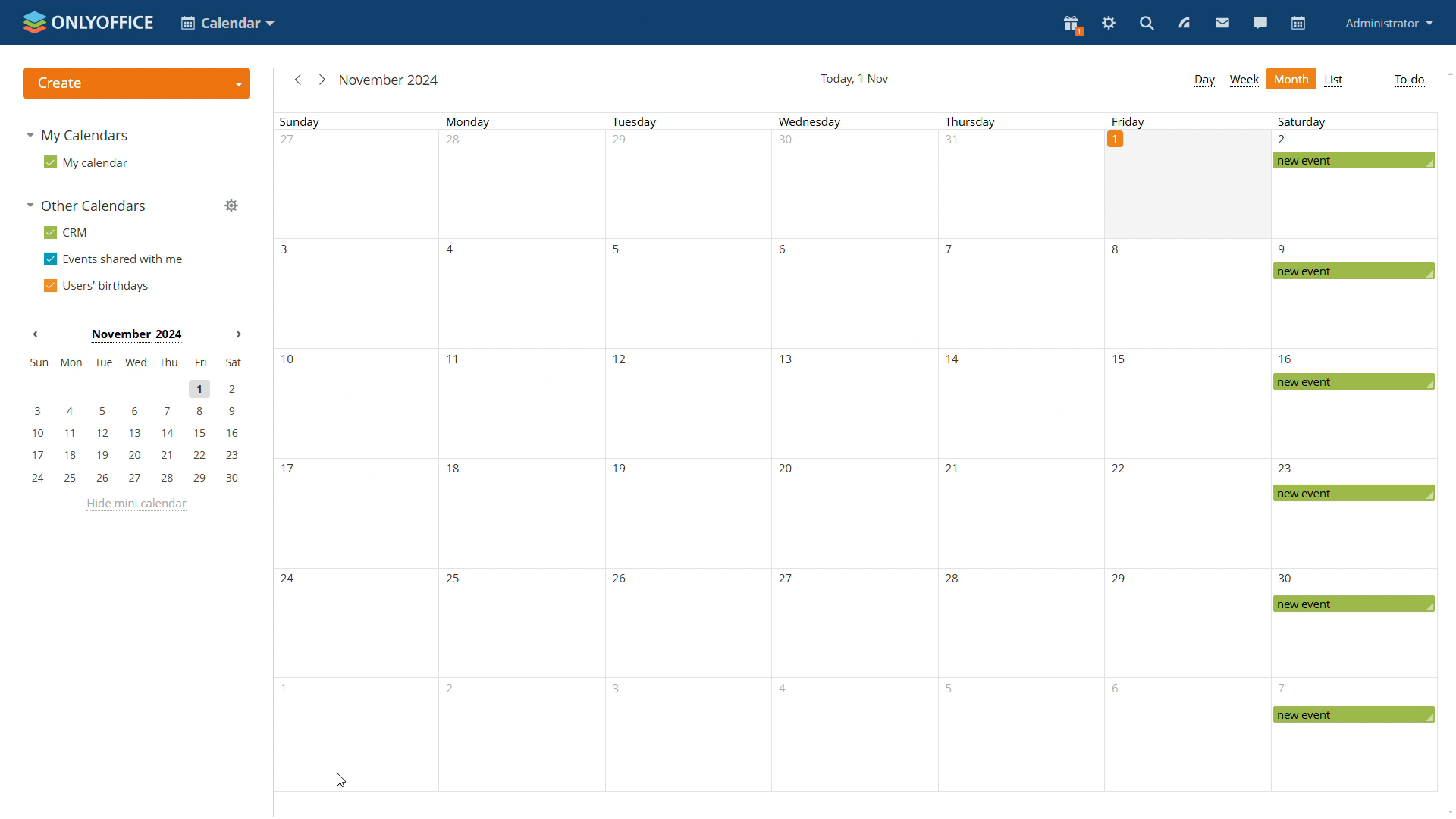 Image resolution: width=1456 pixels, height=819 pixels. What do you see at coordinates (855, 78) in the screenshot?
I see `current date` at bounding box center [855, 78].